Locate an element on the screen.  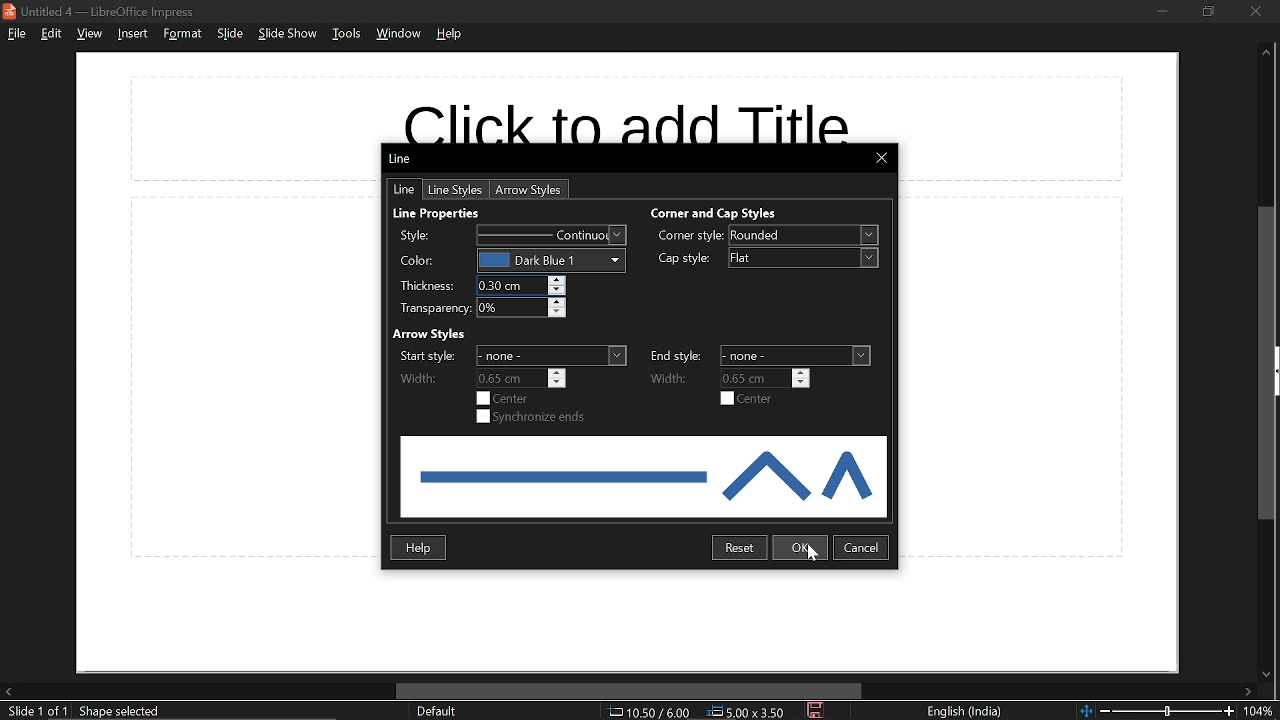
language is located at coordinates (965, 711).